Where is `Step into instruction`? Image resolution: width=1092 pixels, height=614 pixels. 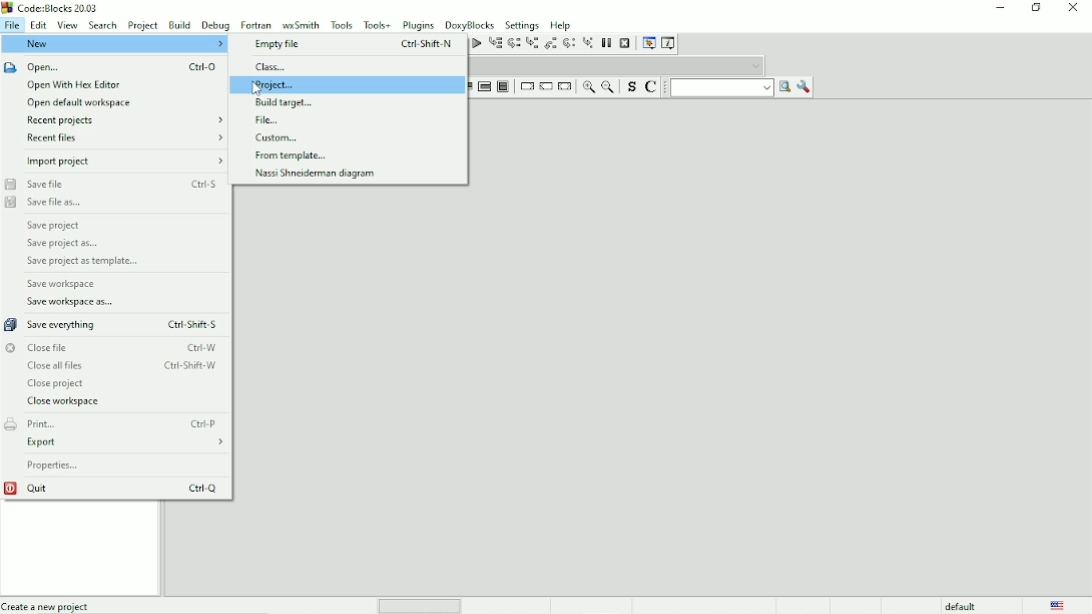
Step into instruction is located at coordinates (588, 44).